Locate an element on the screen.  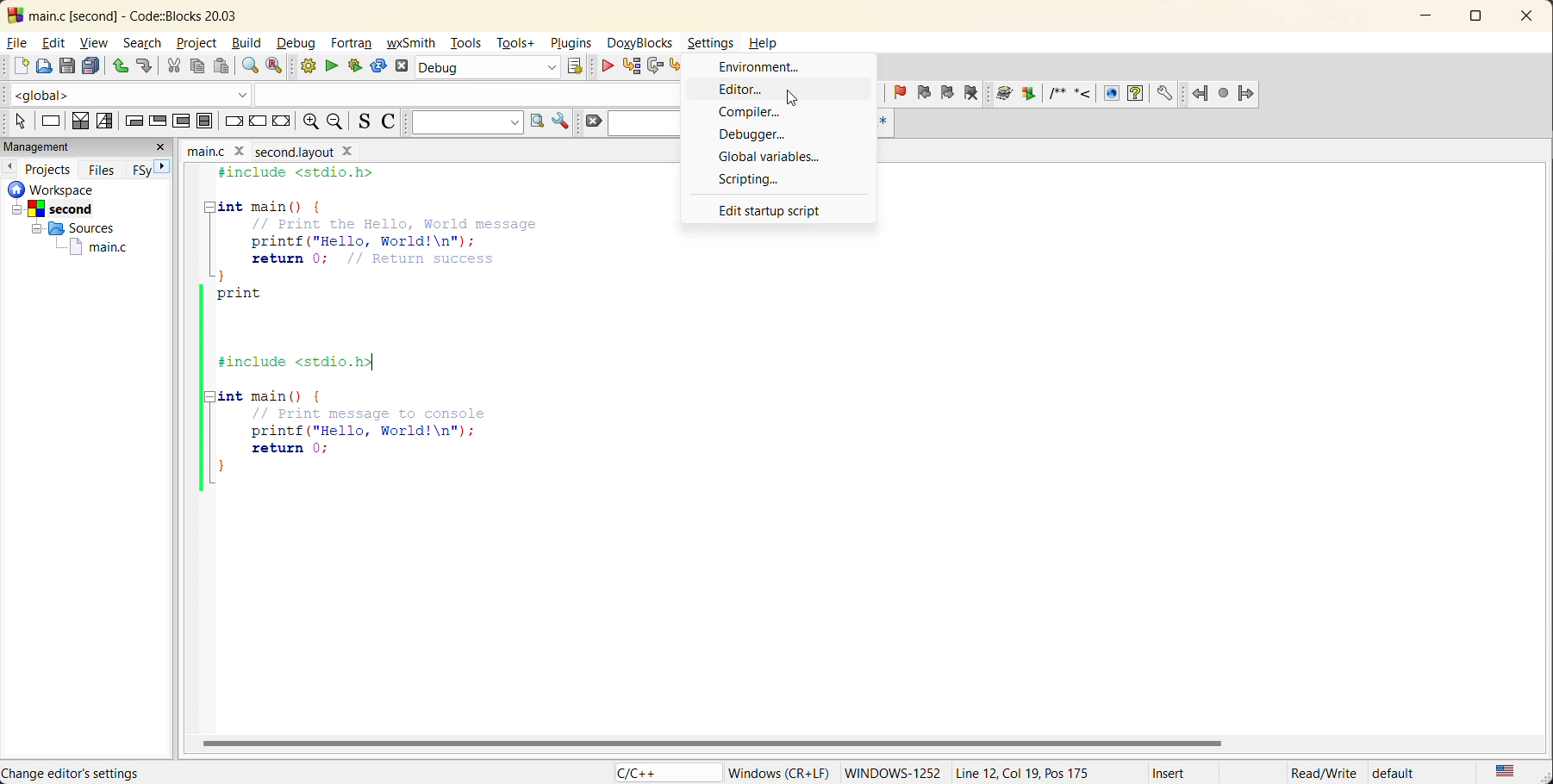
toggle comments is located at coordinates (388, 124).